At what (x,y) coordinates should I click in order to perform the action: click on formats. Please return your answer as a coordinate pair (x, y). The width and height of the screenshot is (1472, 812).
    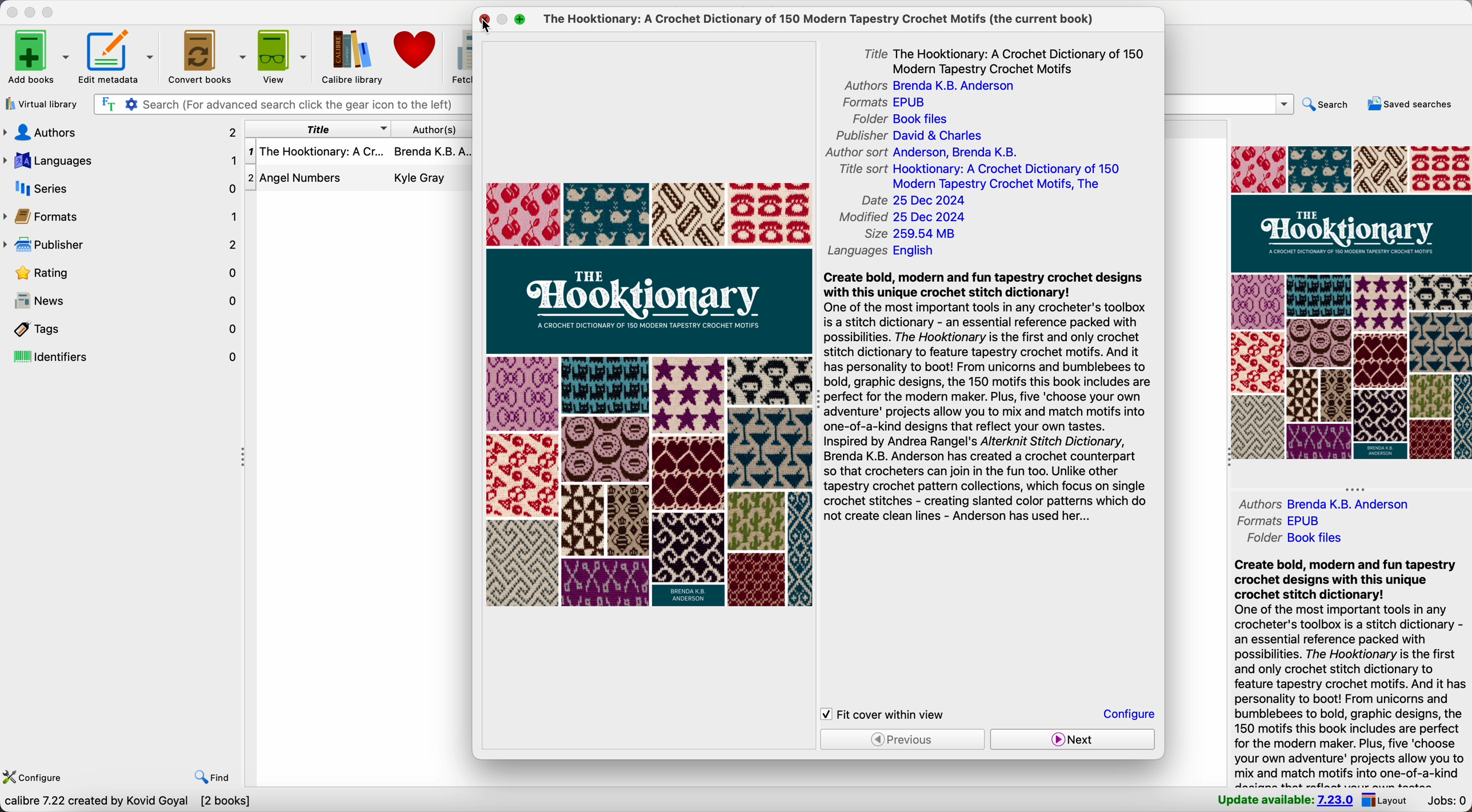
    Looking at the image, I should click on (883, 103).